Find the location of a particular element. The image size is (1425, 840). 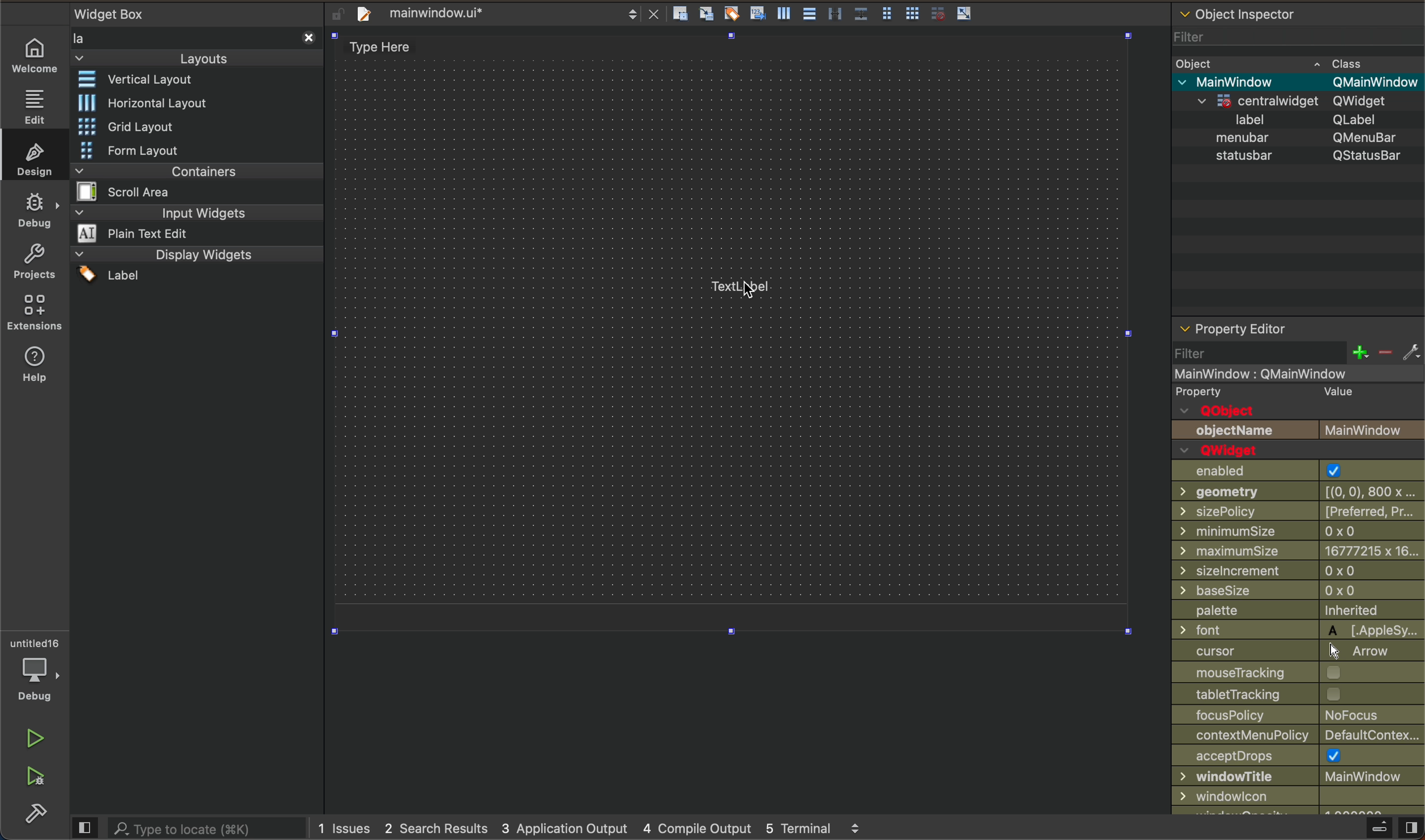

2 search result is located at coordinates (439, 827).